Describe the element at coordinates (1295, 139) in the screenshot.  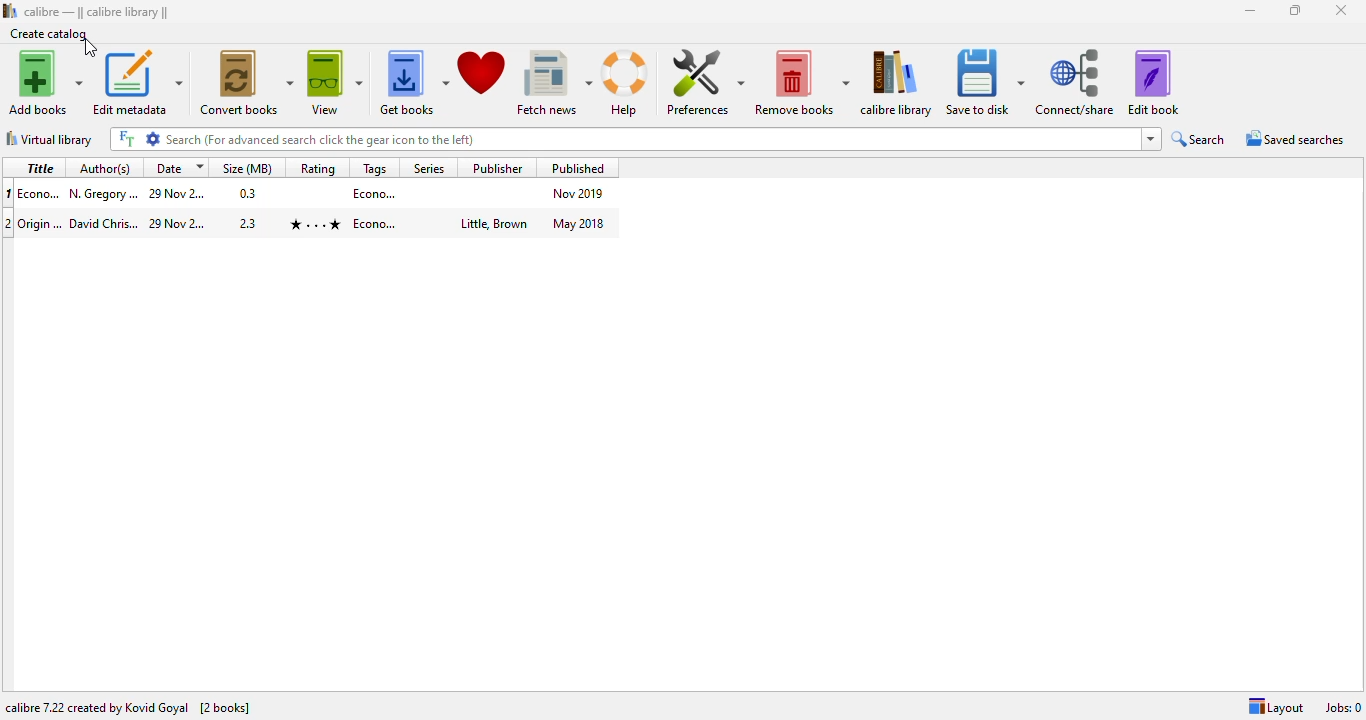
I see `saved searches` at that location.